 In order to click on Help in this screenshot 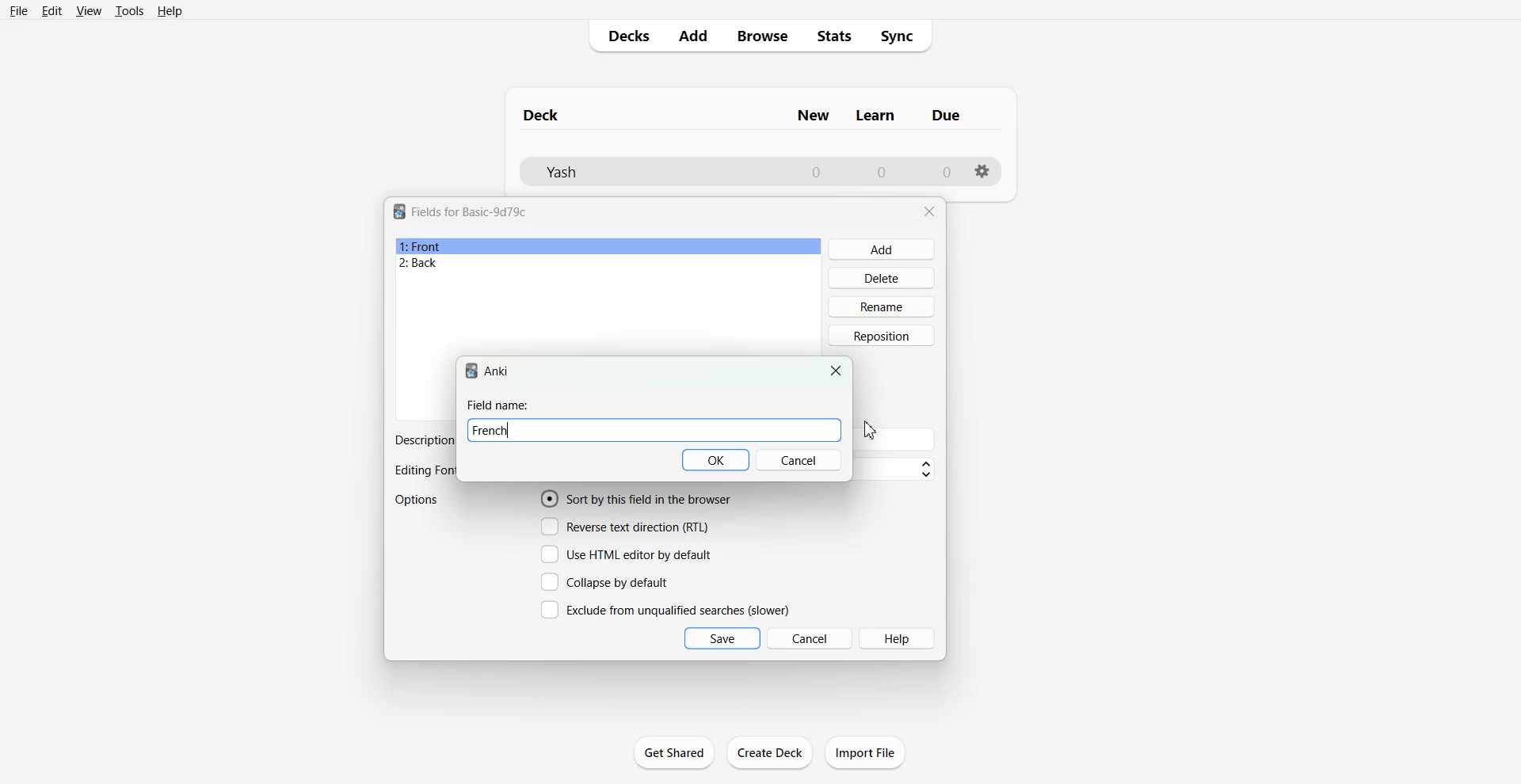, I will do `click(898, 638)`.